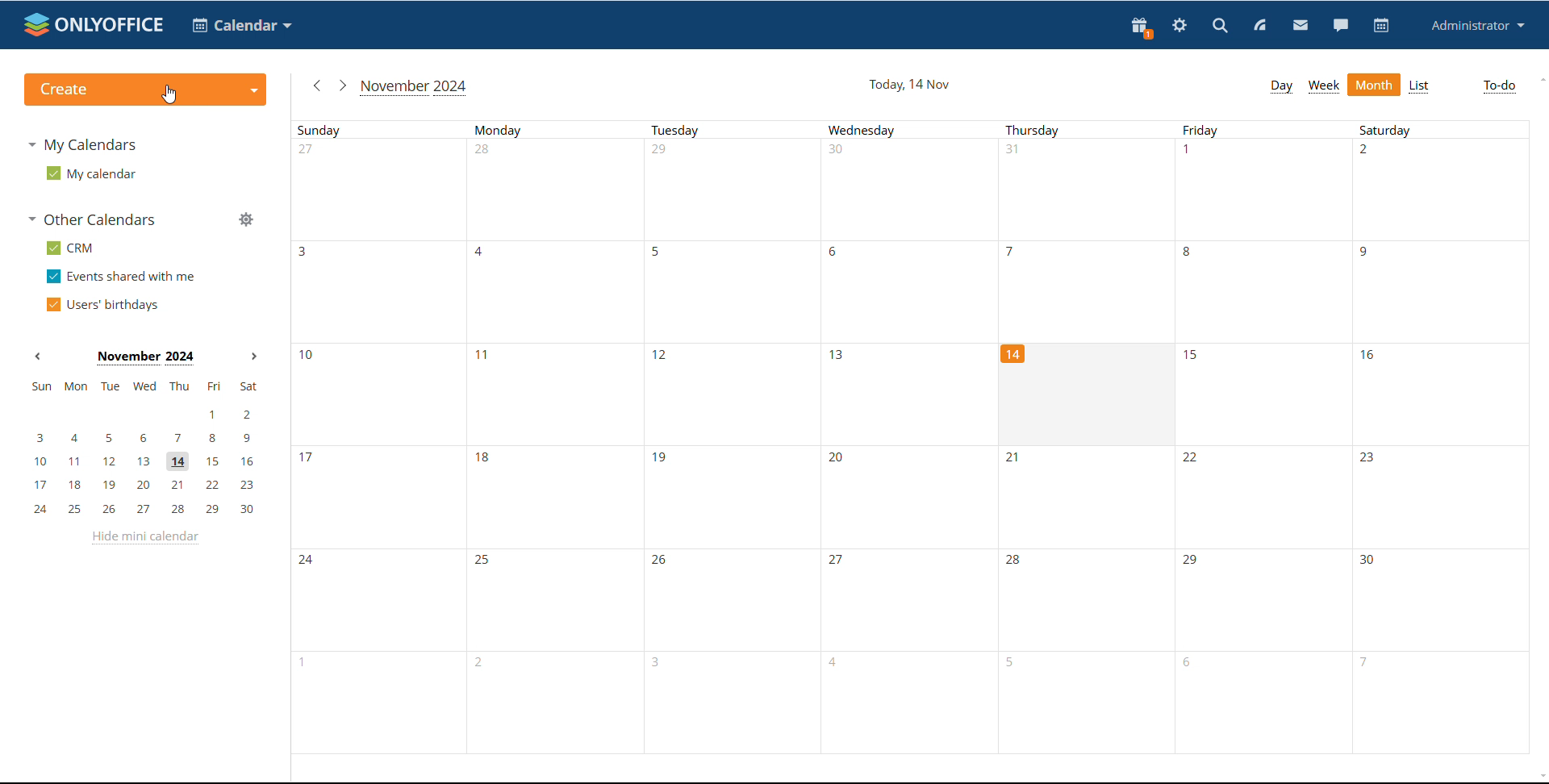  What do you see at coordinates (915, 713) in the screenshot?
I see `Different dates of the month` at bounding box center [915, 713].